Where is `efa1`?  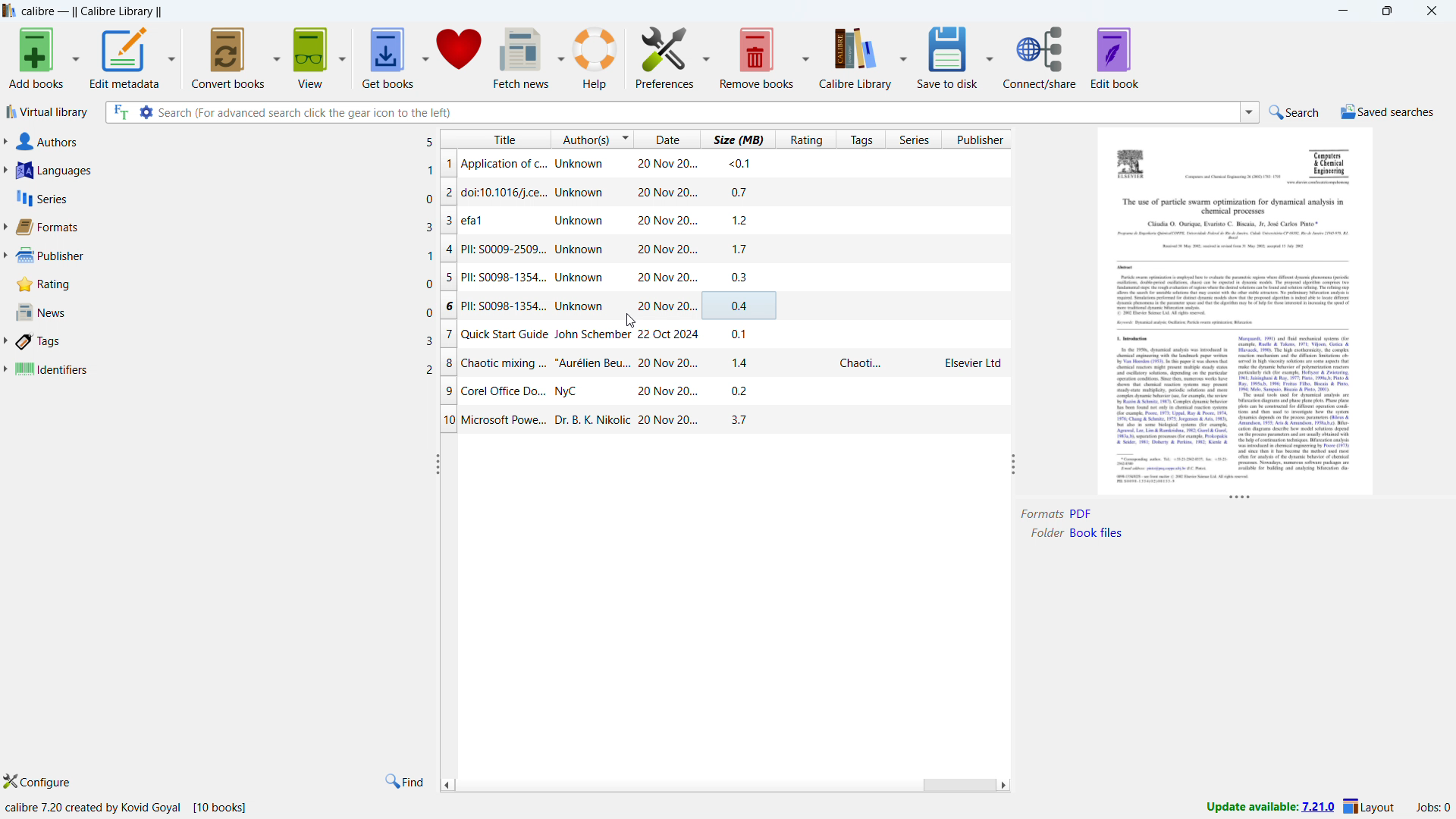
efa1 is located at coordinates (731, 222).